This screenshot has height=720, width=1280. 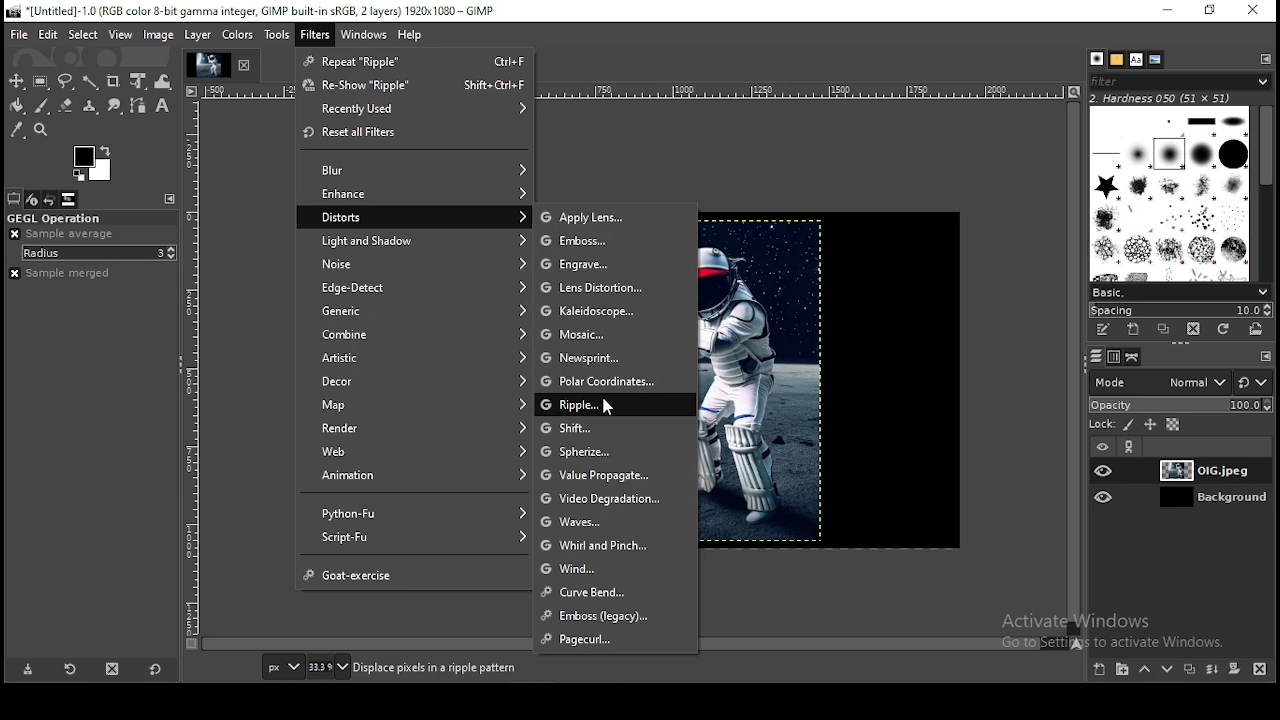 What do you see at coordinates (419, 511) in the screenshot?
I see `python fu` at bounding box center [419, 511].